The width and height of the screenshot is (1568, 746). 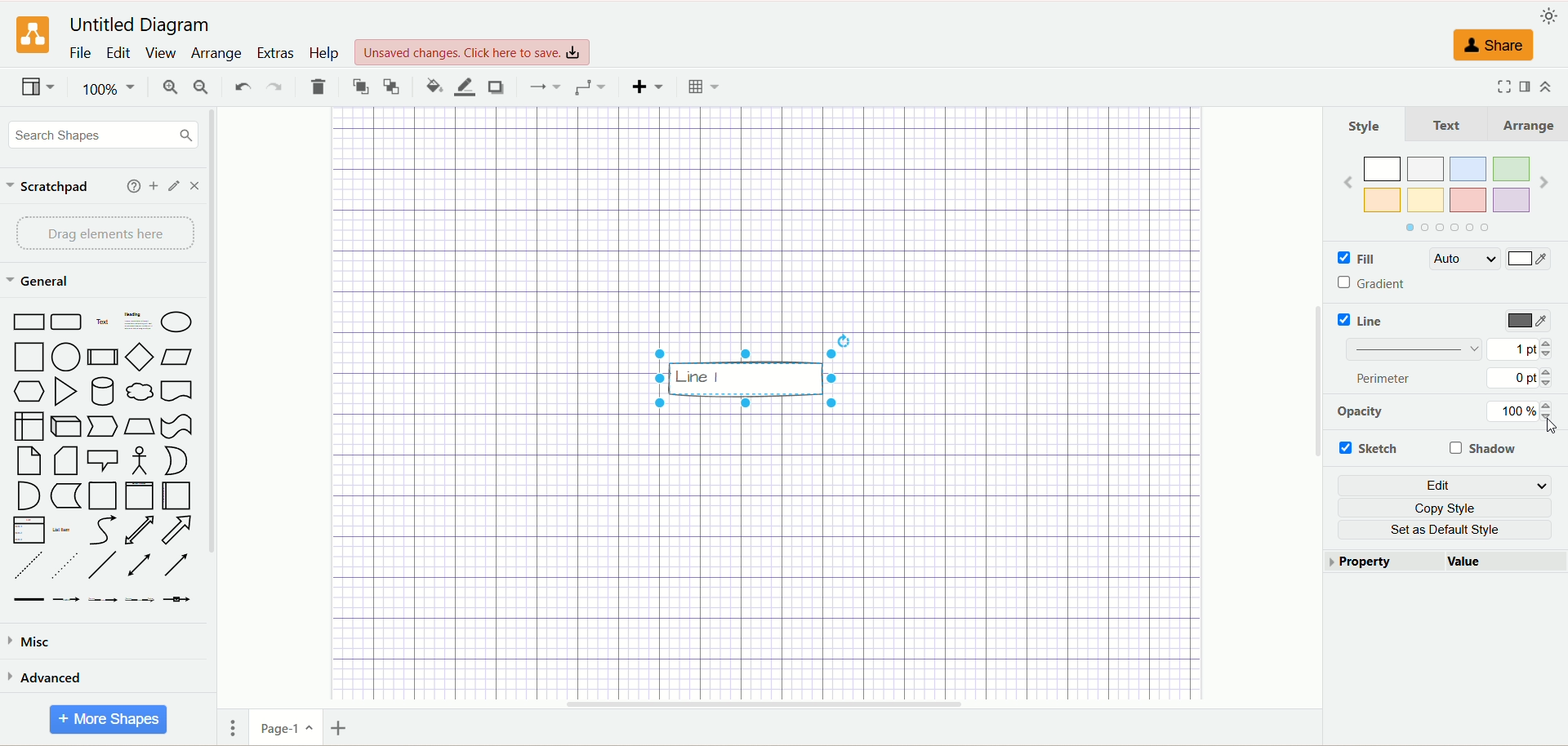 I want to click on help, so click(x=327, y=55).